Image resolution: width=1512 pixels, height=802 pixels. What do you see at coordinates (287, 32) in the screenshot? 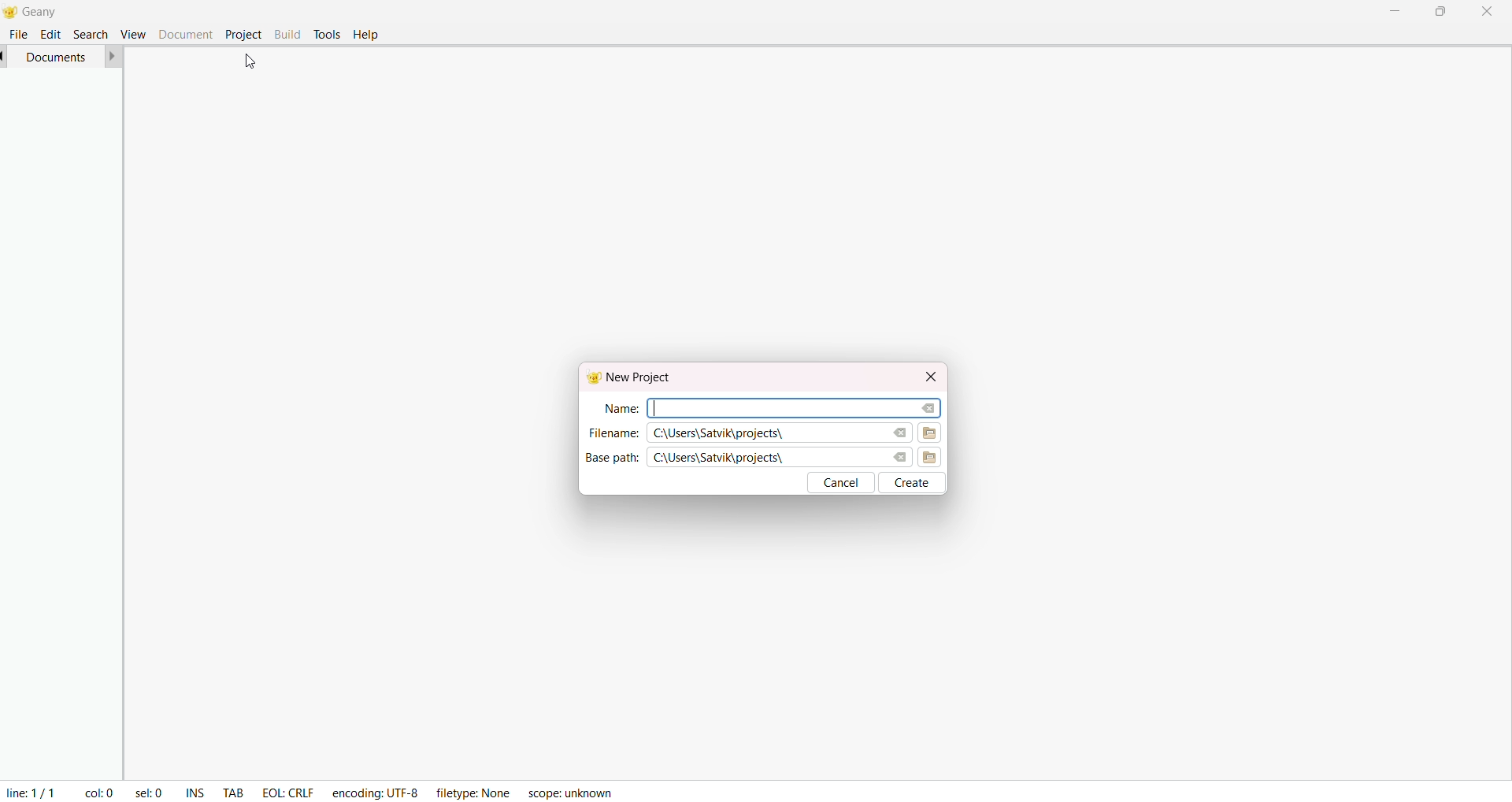
I see `build` at bounding box center [287, 32].